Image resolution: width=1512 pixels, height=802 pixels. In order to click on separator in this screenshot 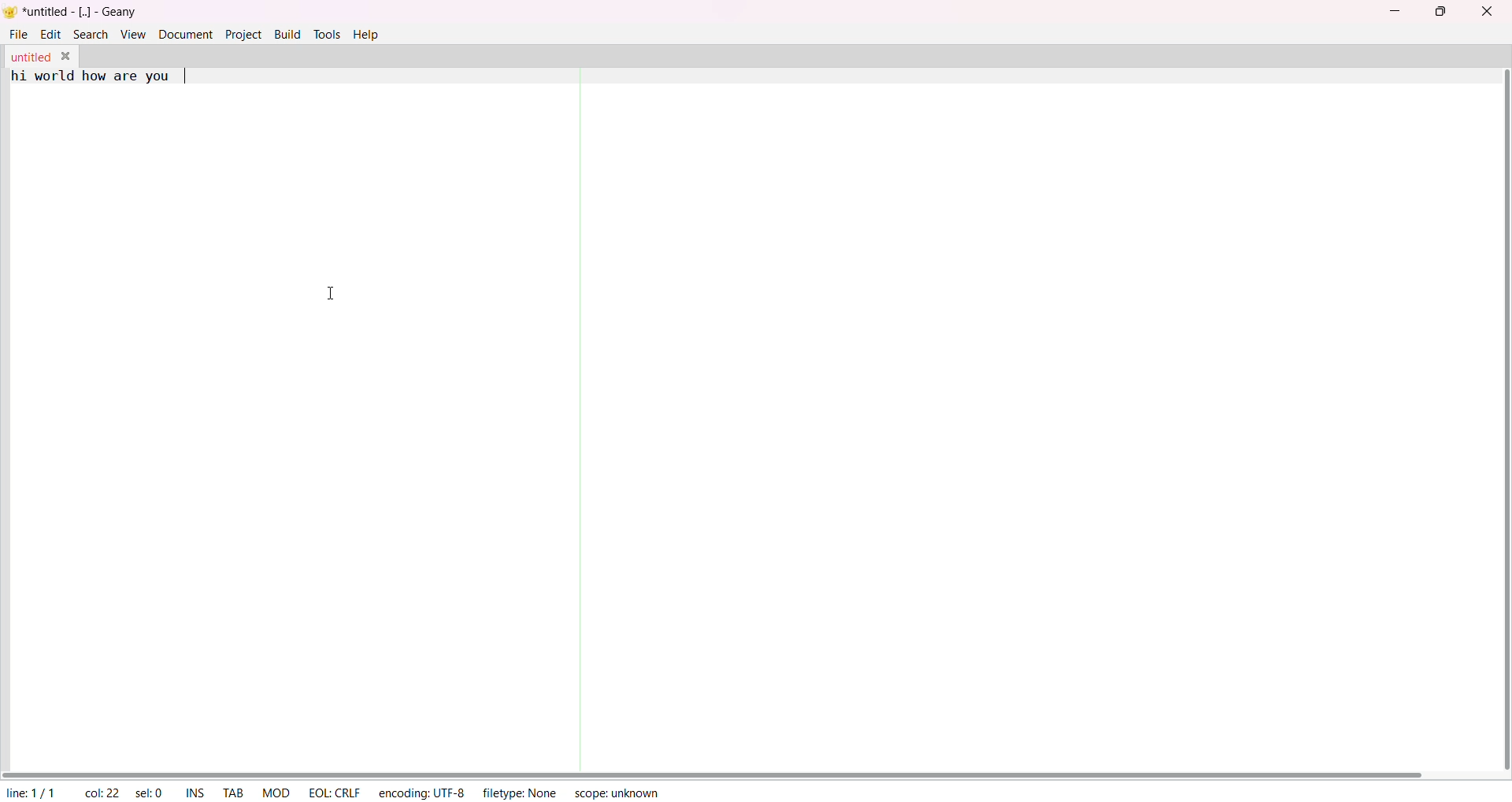, I will do `click(568, 413)`.